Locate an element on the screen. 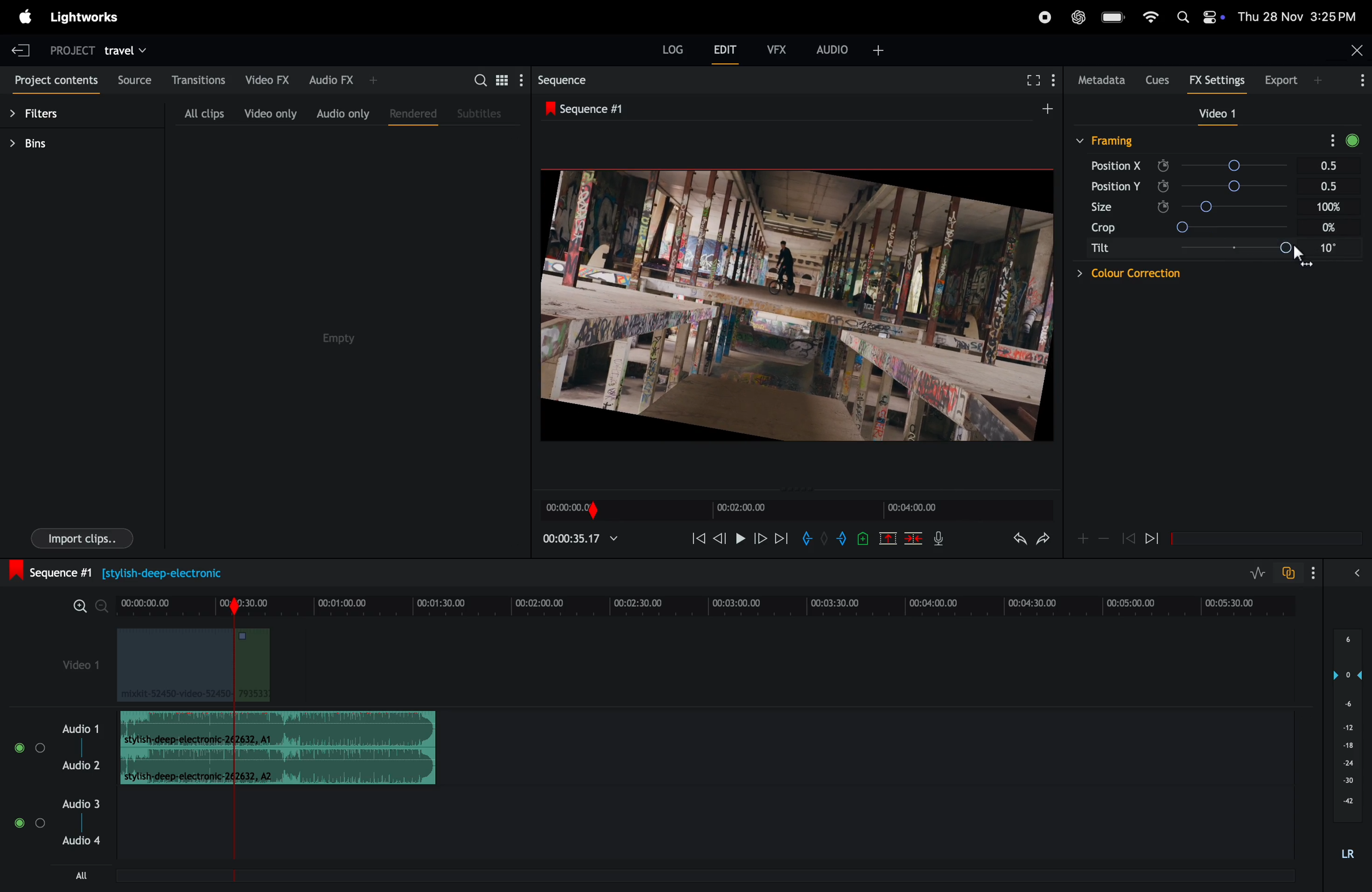 The image size is (1372, 892). time frame is located at coordinates (710, 603).